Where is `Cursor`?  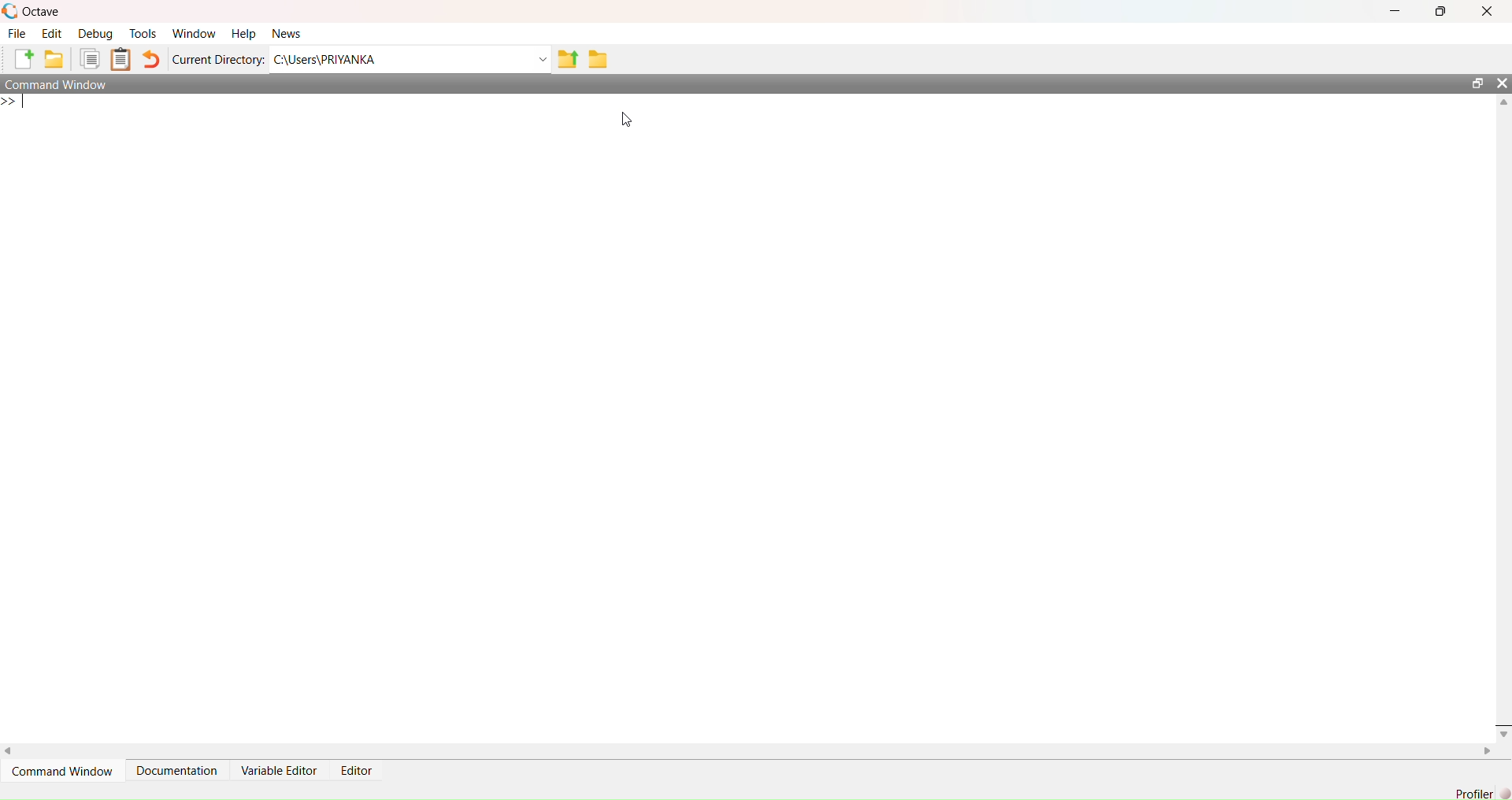
Cursor is located at coordinates (632, 118).